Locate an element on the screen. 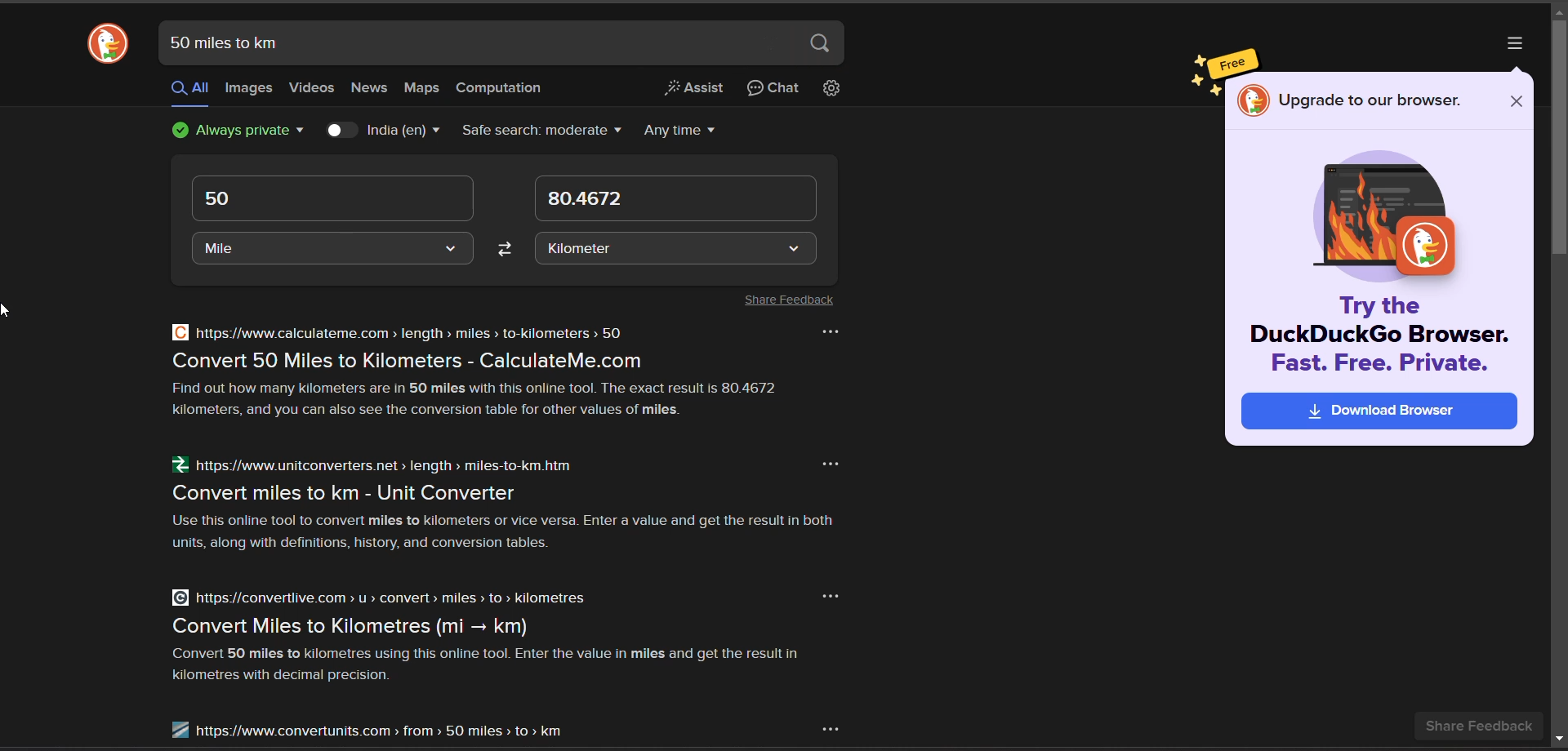 This screenshot has width=1568, height=751. https//convertlive.com > u > convert > miles > to > kilometres is located at coordinates (376, 598).